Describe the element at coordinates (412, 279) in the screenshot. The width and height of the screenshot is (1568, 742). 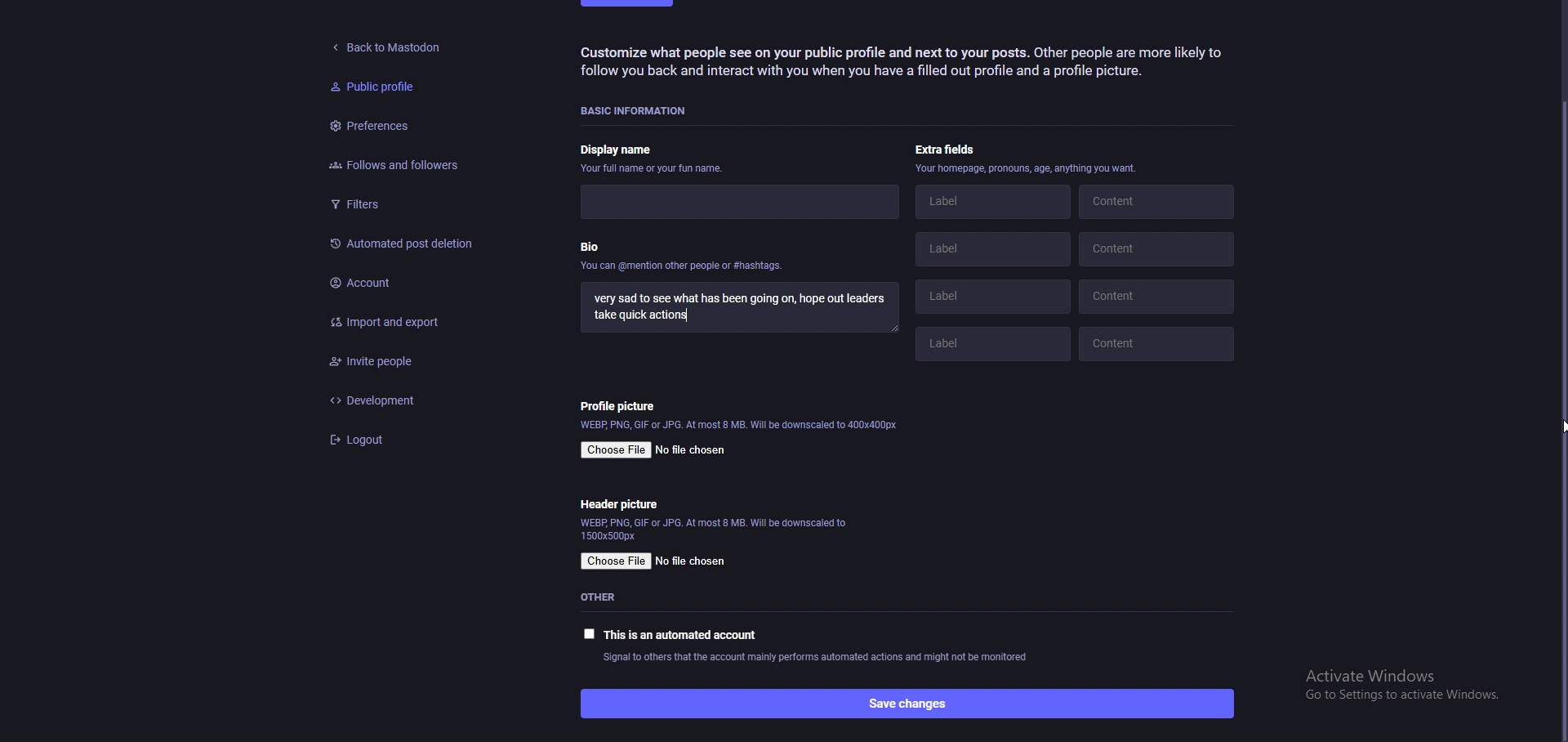
I see `Account` at that location.